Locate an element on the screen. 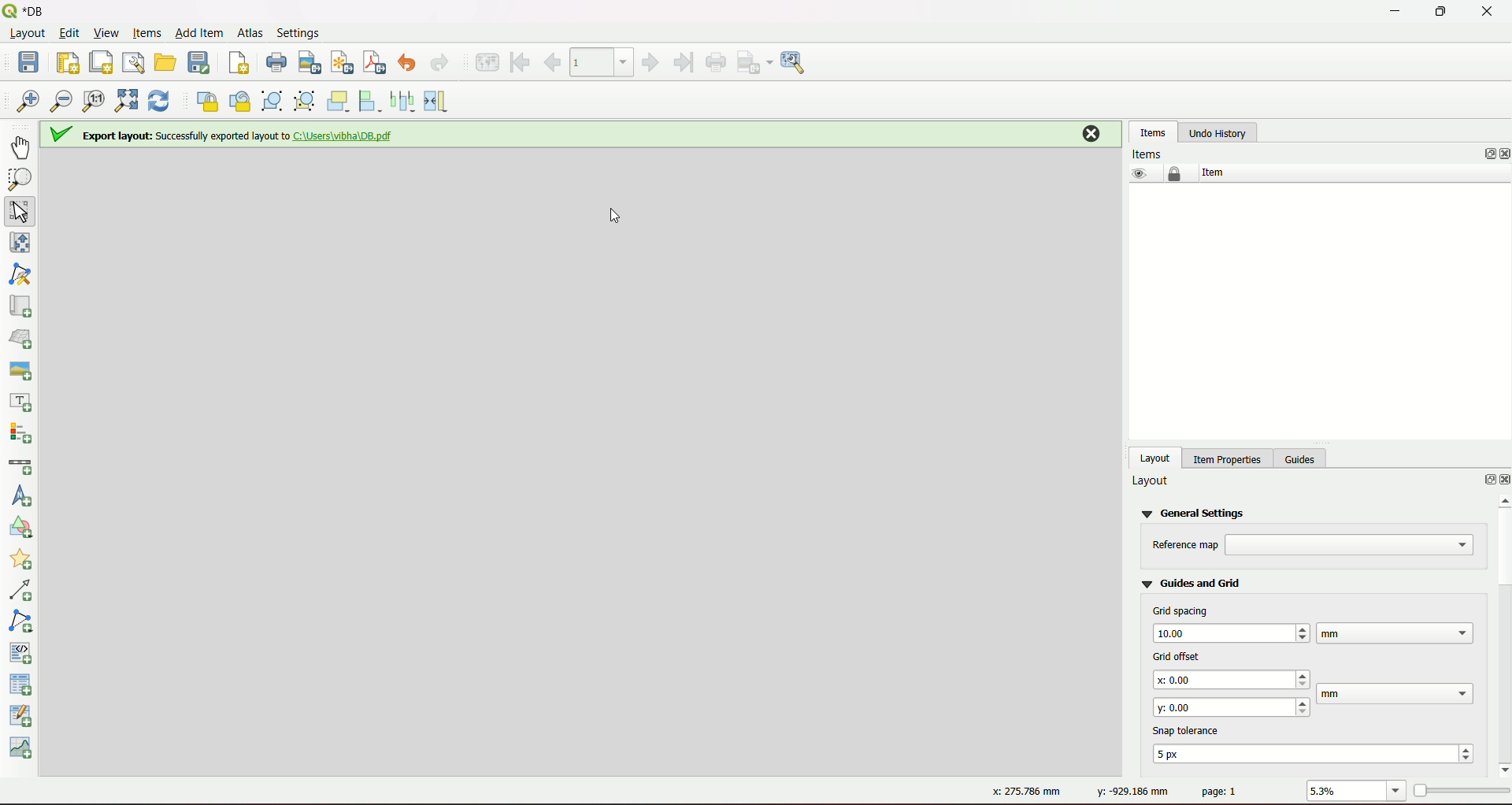 The height and width of the screenshot is (805, 1512). new layout is located at coordinates (68, 61).